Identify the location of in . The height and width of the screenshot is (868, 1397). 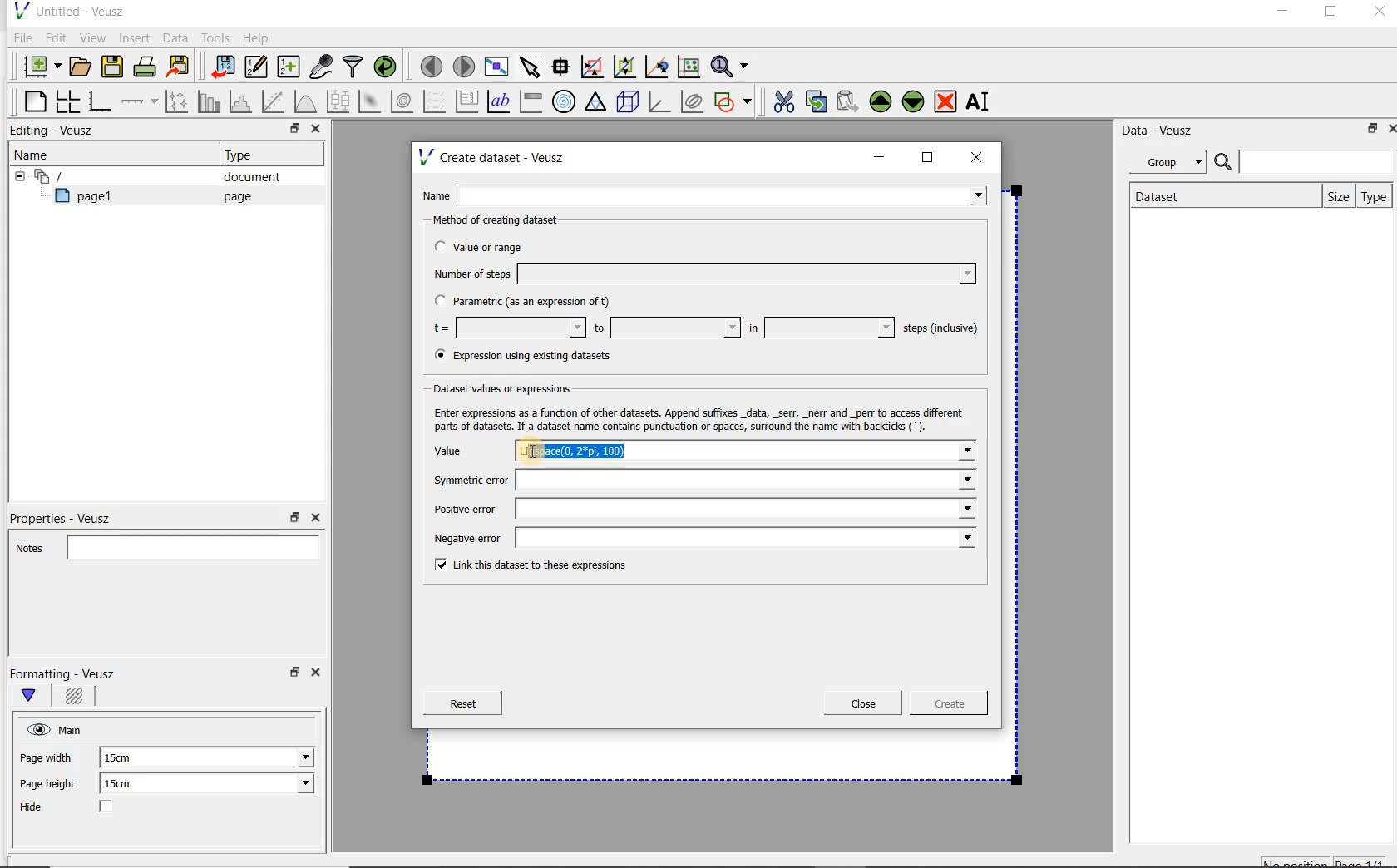
(819, 328).